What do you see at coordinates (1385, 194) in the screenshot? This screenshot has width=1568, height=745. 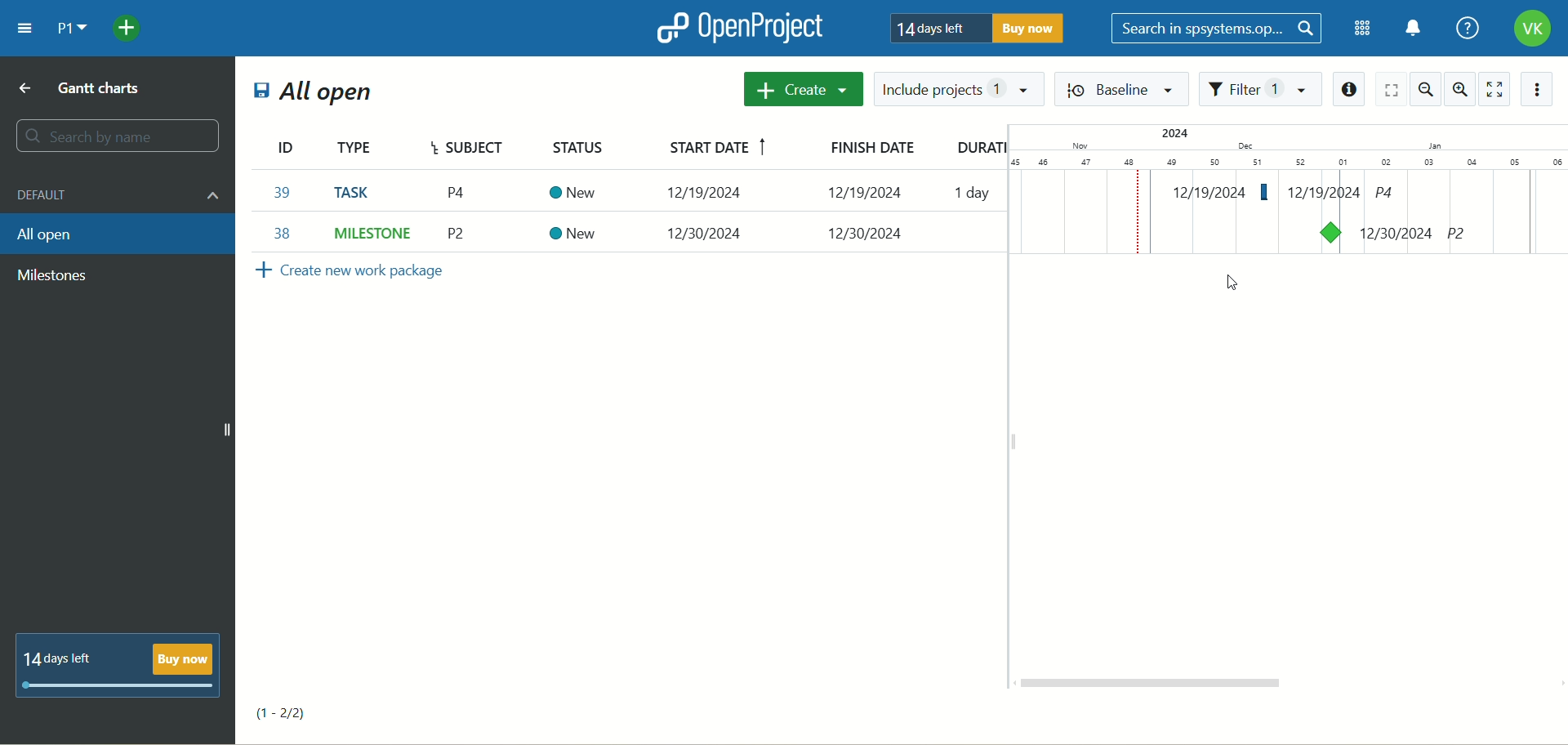 I see `p4` at bounding box center [1385, 194].